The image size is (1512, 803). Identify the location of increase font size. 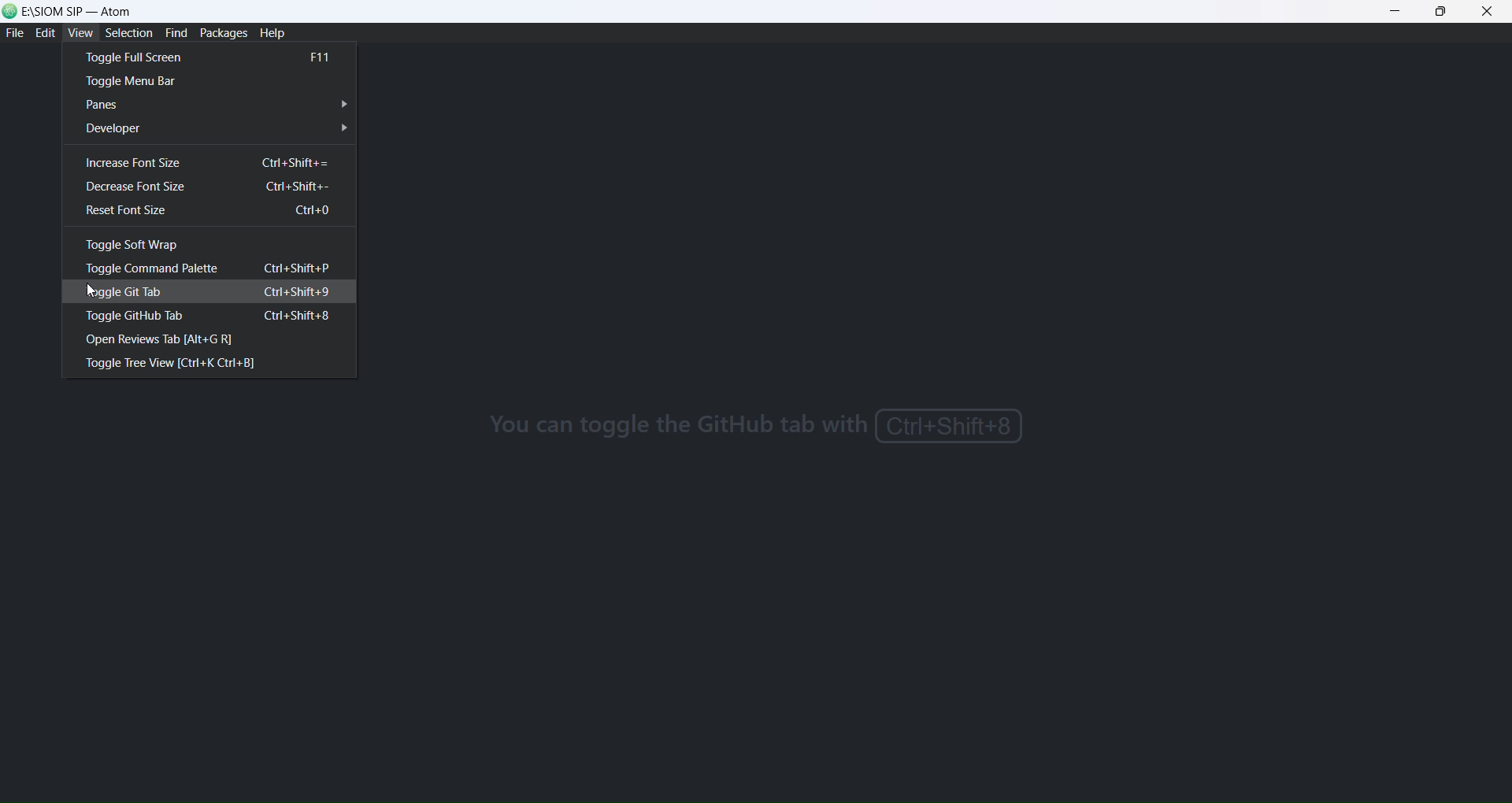
(207, 162).